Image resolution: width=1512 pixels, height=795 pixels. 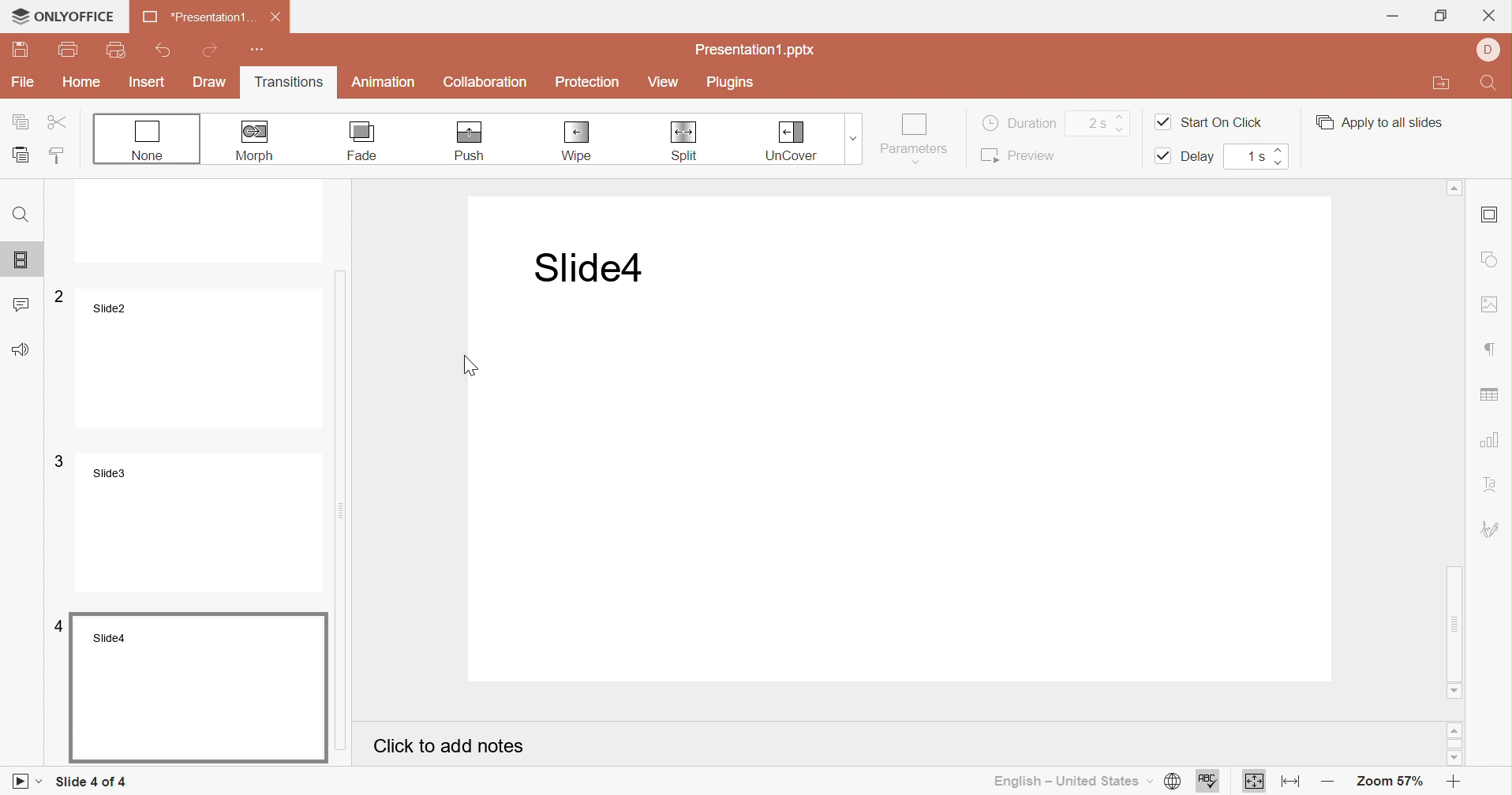 I want to click on Scroll bar, so click(x=354, y=425).